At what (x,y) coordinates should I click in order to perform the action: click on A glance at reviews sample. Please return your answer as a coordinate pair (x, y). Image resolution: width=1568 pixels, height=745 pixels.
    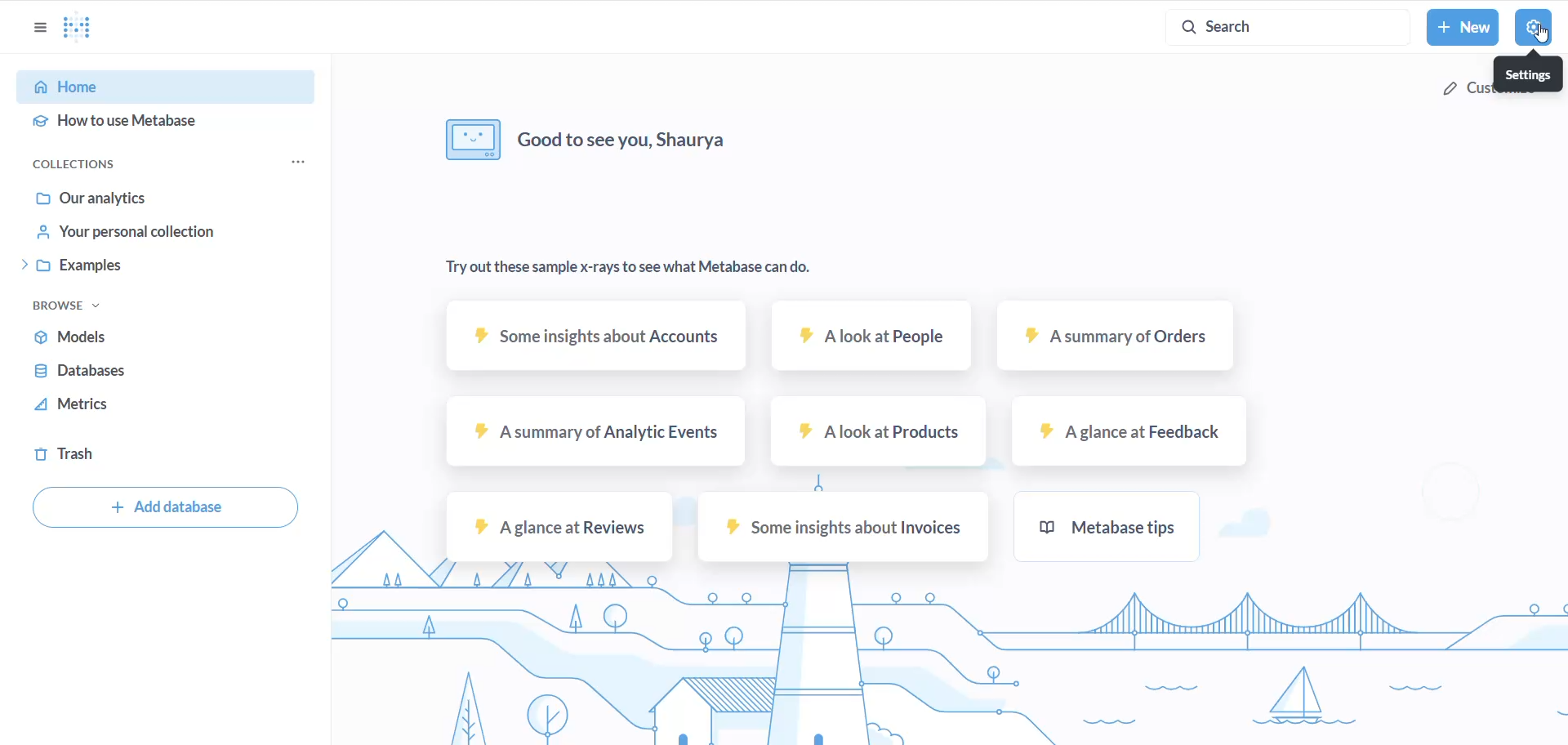
    Looking at the image, I should click on (559, 529).